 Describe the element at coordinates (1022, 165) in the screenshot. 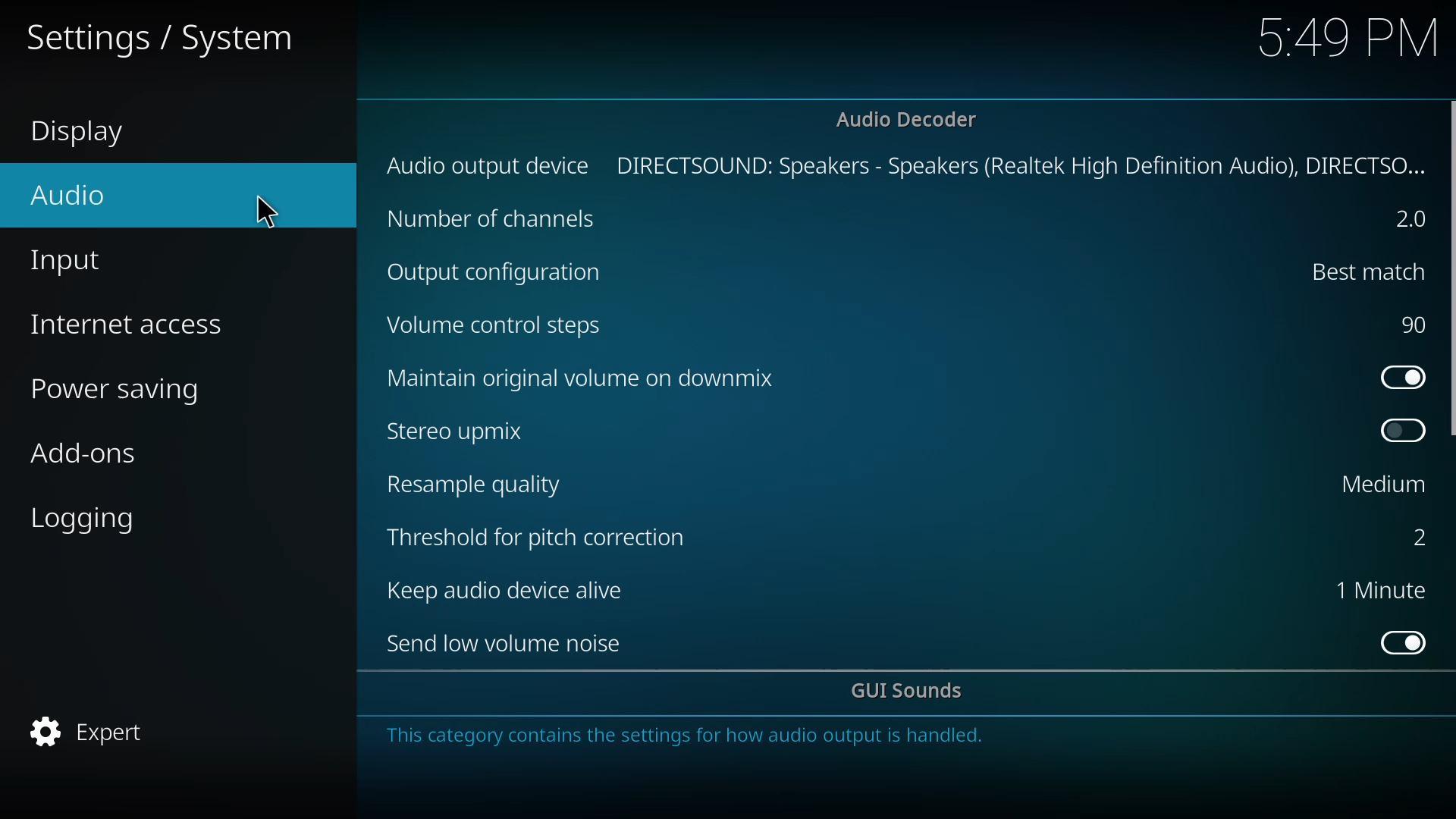

I see `directsound` at that location.